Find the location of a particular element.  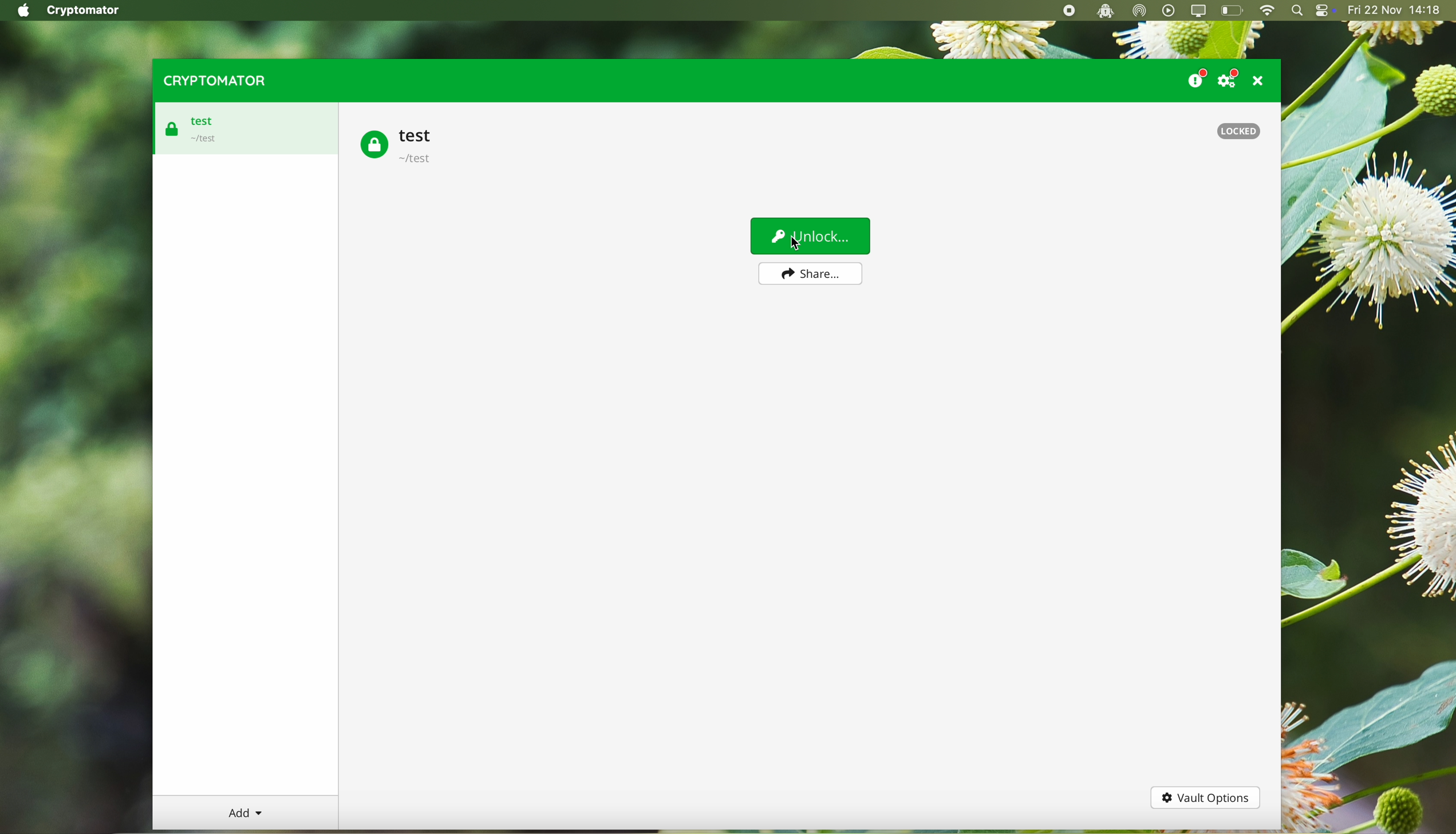

donate is located at coordinates (1195, 76).